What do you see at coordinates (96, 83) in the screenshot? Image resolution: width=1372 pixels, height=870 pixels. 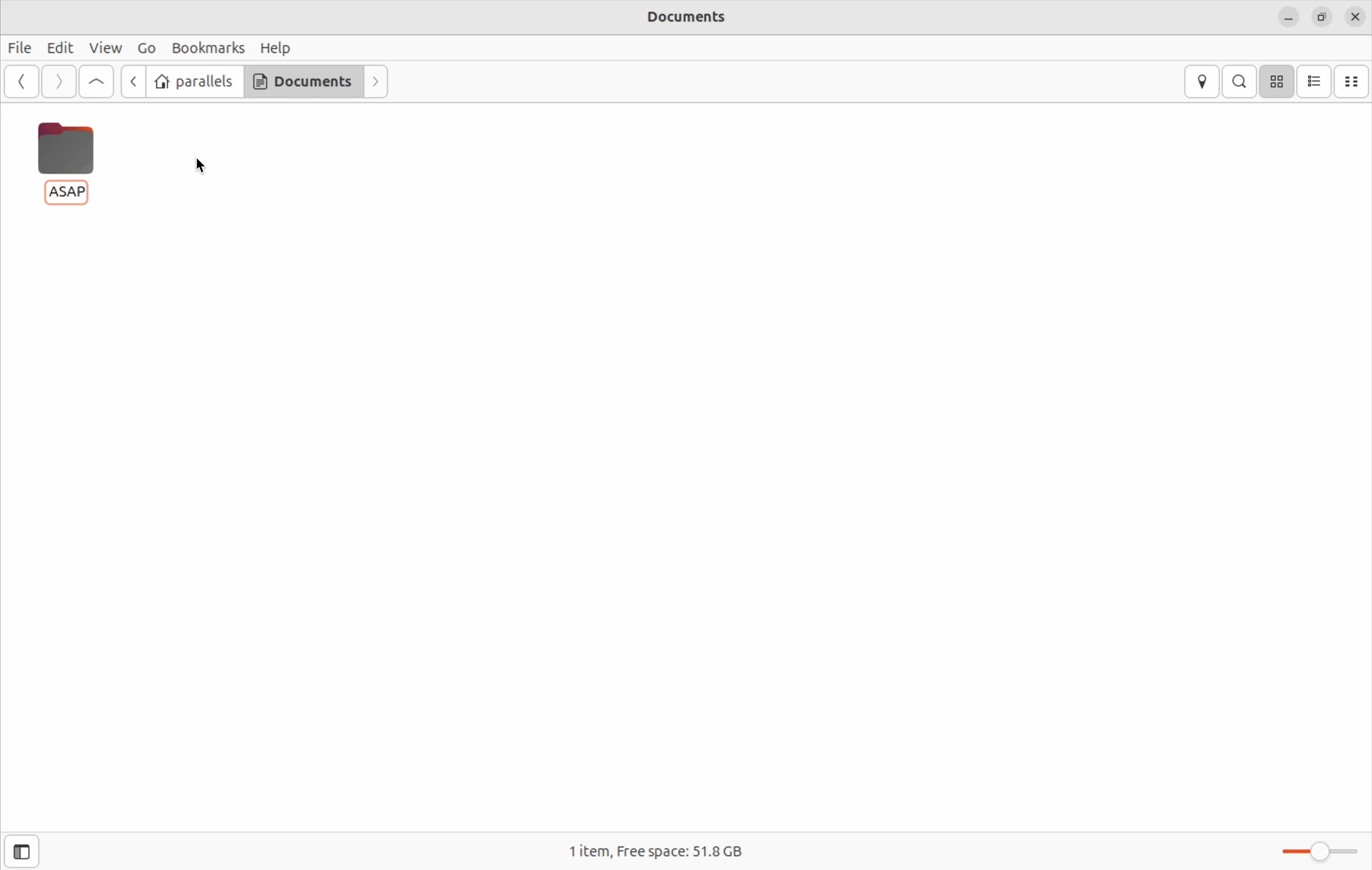 I see `go up` at bounding box center [96, 83].